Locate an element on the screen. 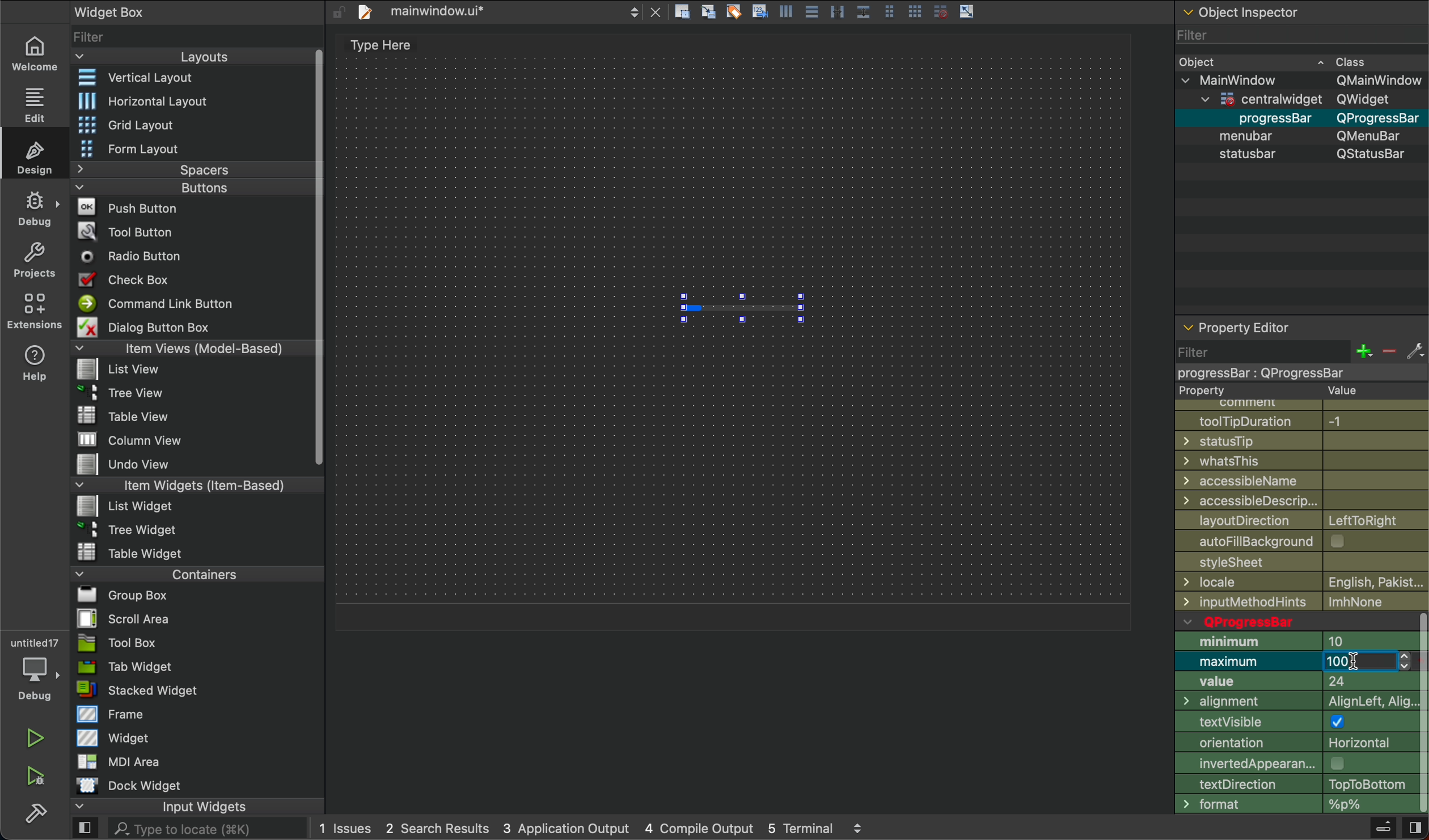 The image size is (1429, 840). build is located at coordinates (36, 811).